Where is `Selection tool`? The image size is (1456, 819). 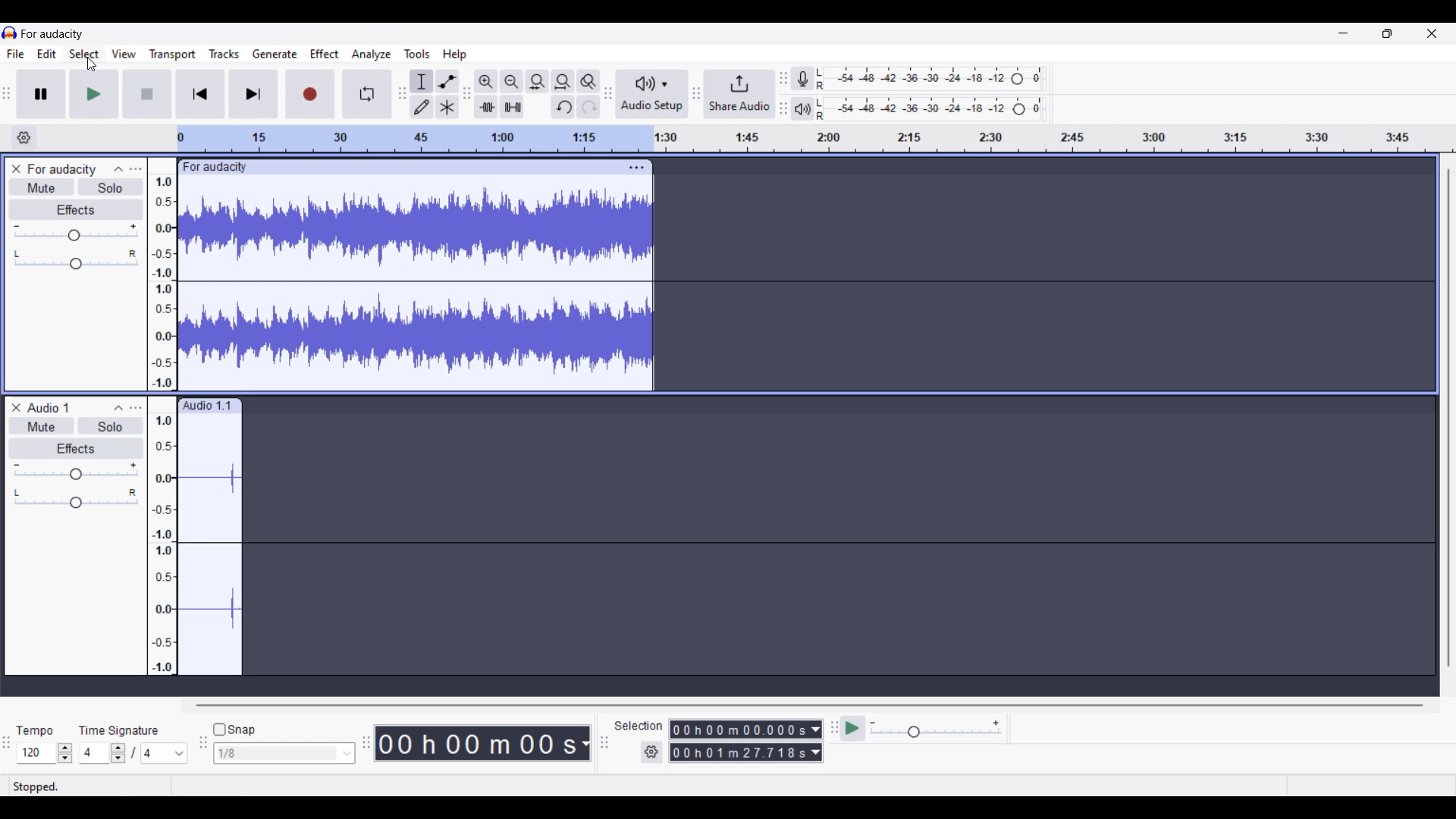 Selection tool is located at coordinates (422, 82).